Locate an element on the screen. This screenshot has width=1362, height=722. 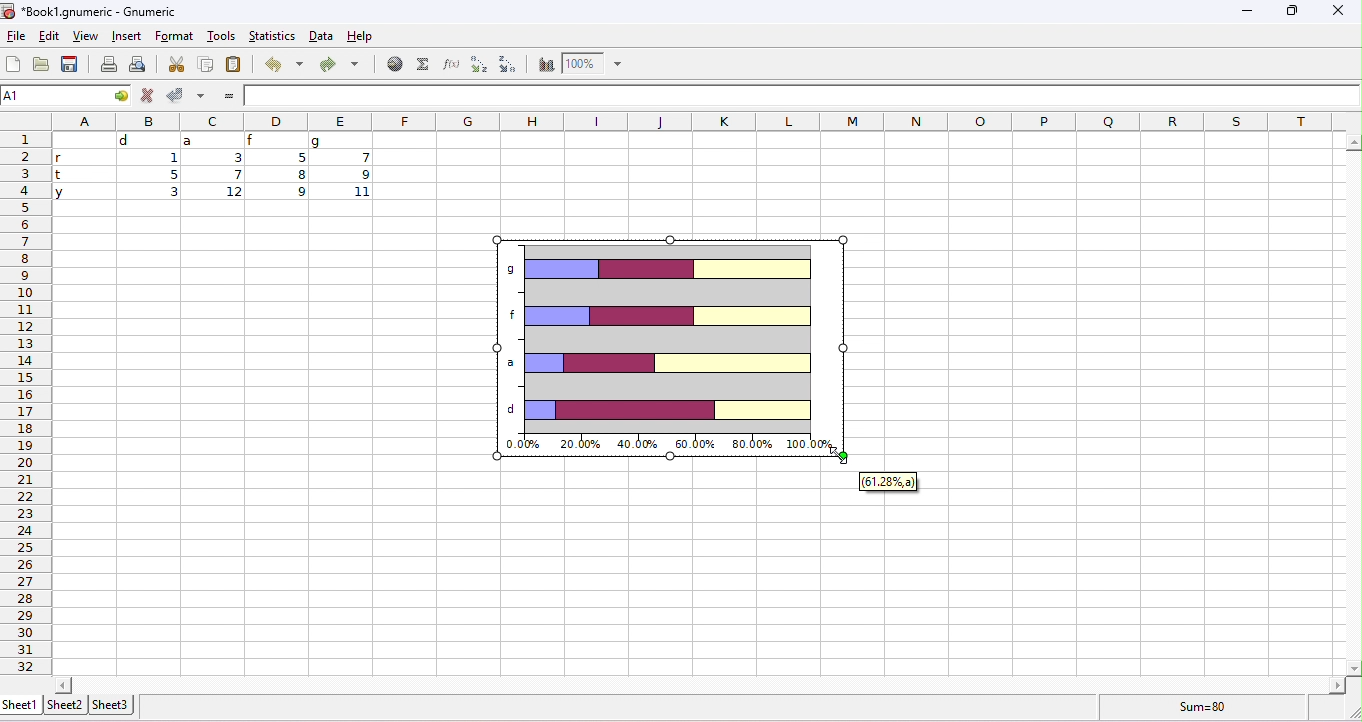
sort ascending is located at coordinates (477, 64).